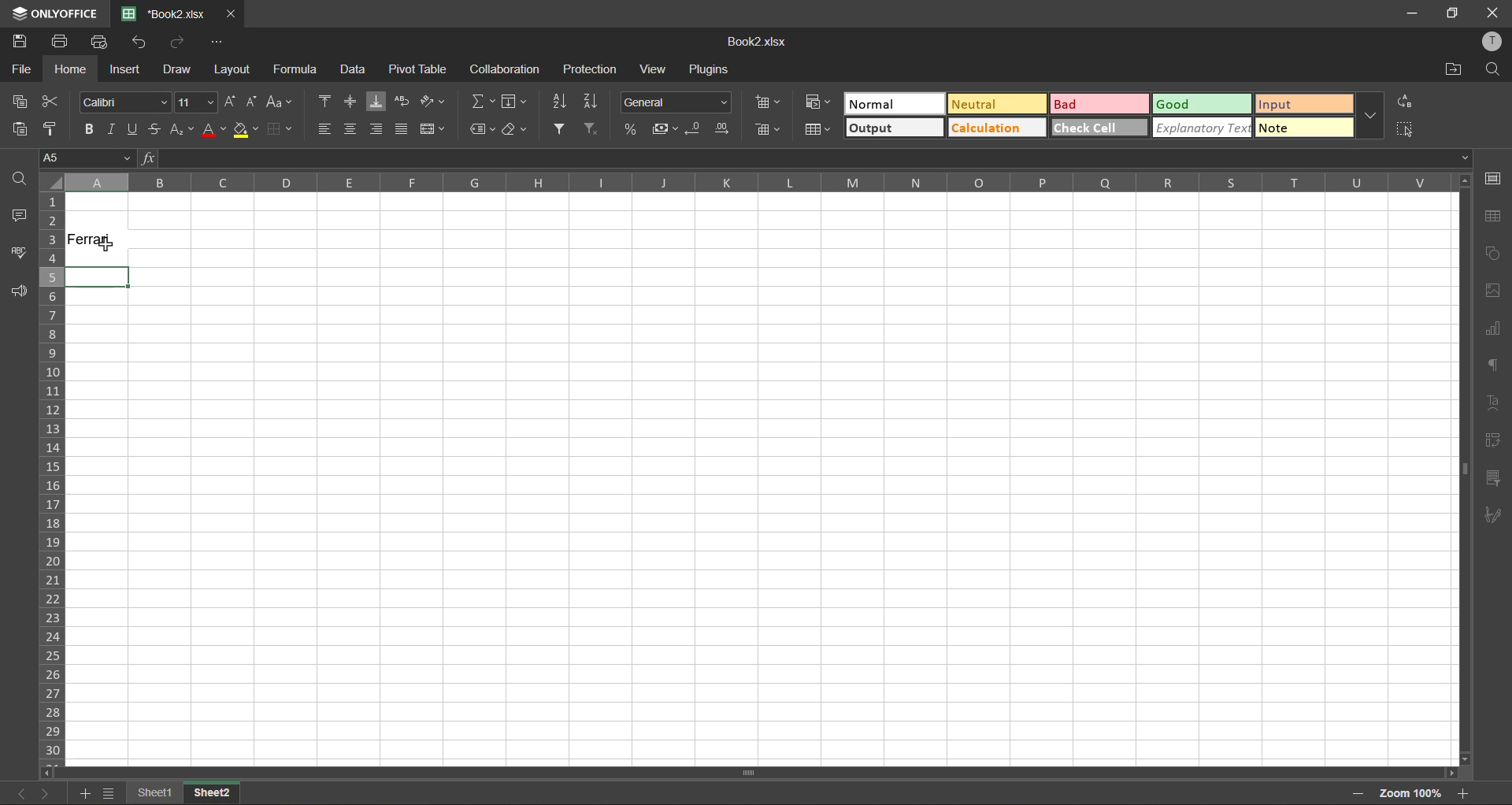  What do you see at coordinates (1492, 330) in the screenshot?
I see `charts` at bounding box center [1492, 330].